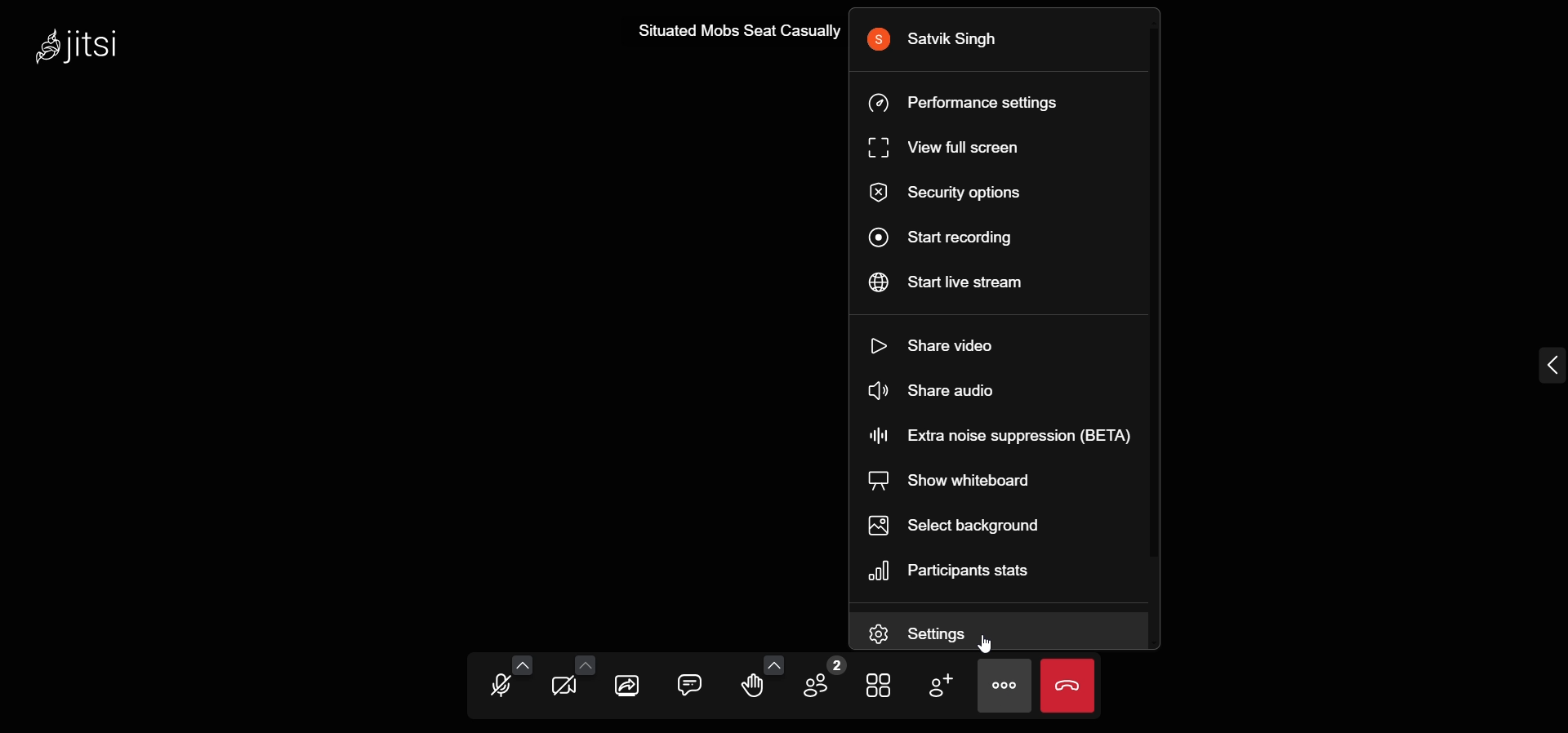  What do you see at coordinates (499, 687) in the screenshot?
I see `microphone` at bounding box center [499, 687].